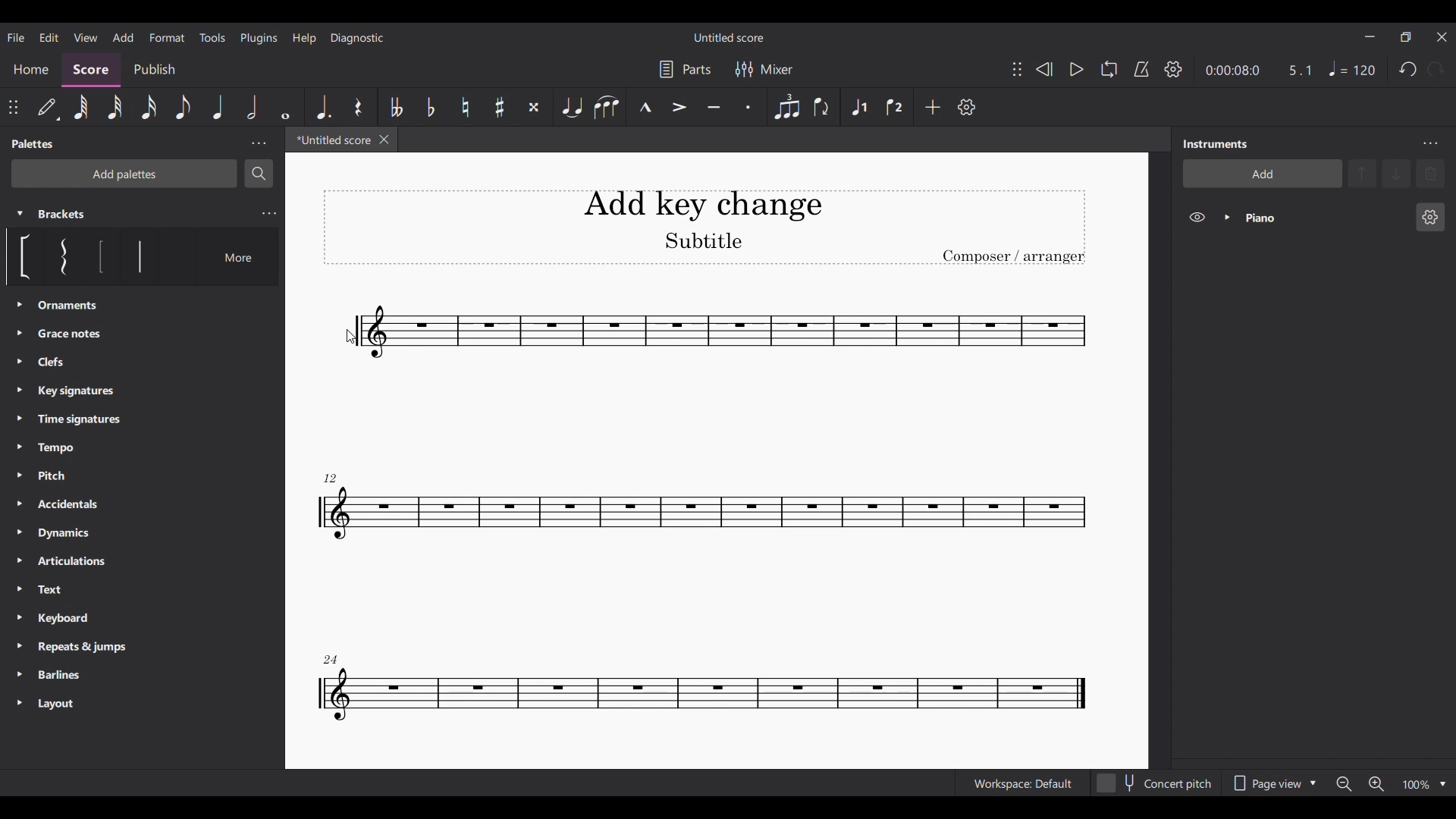 This screenshot has height=819, width=1456. I want to click on Show interface in a smaller tab, so click(1406, 37).